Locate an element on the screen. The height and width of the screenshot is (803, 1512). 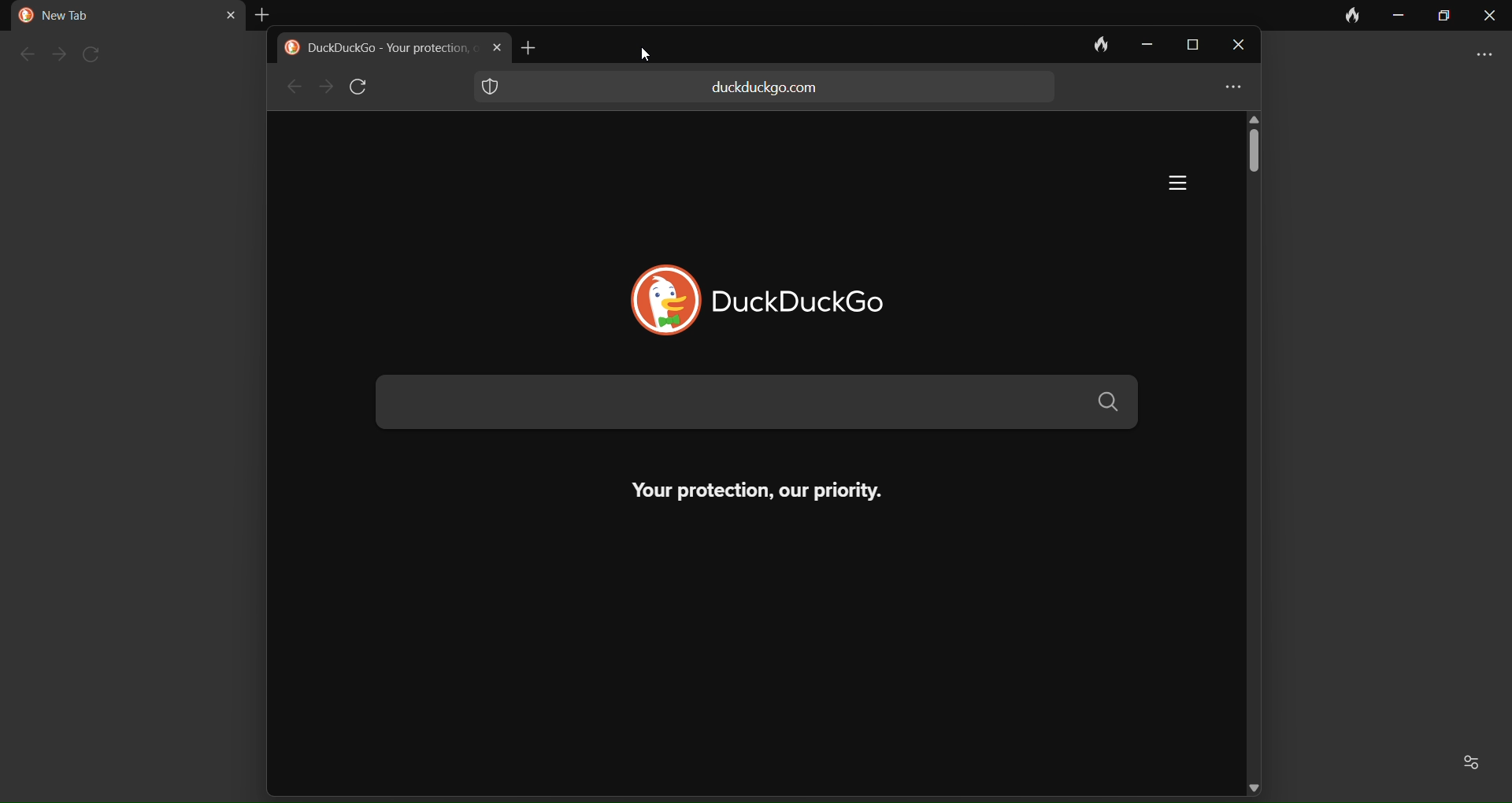
cursor is located at coordinates (649, 59).